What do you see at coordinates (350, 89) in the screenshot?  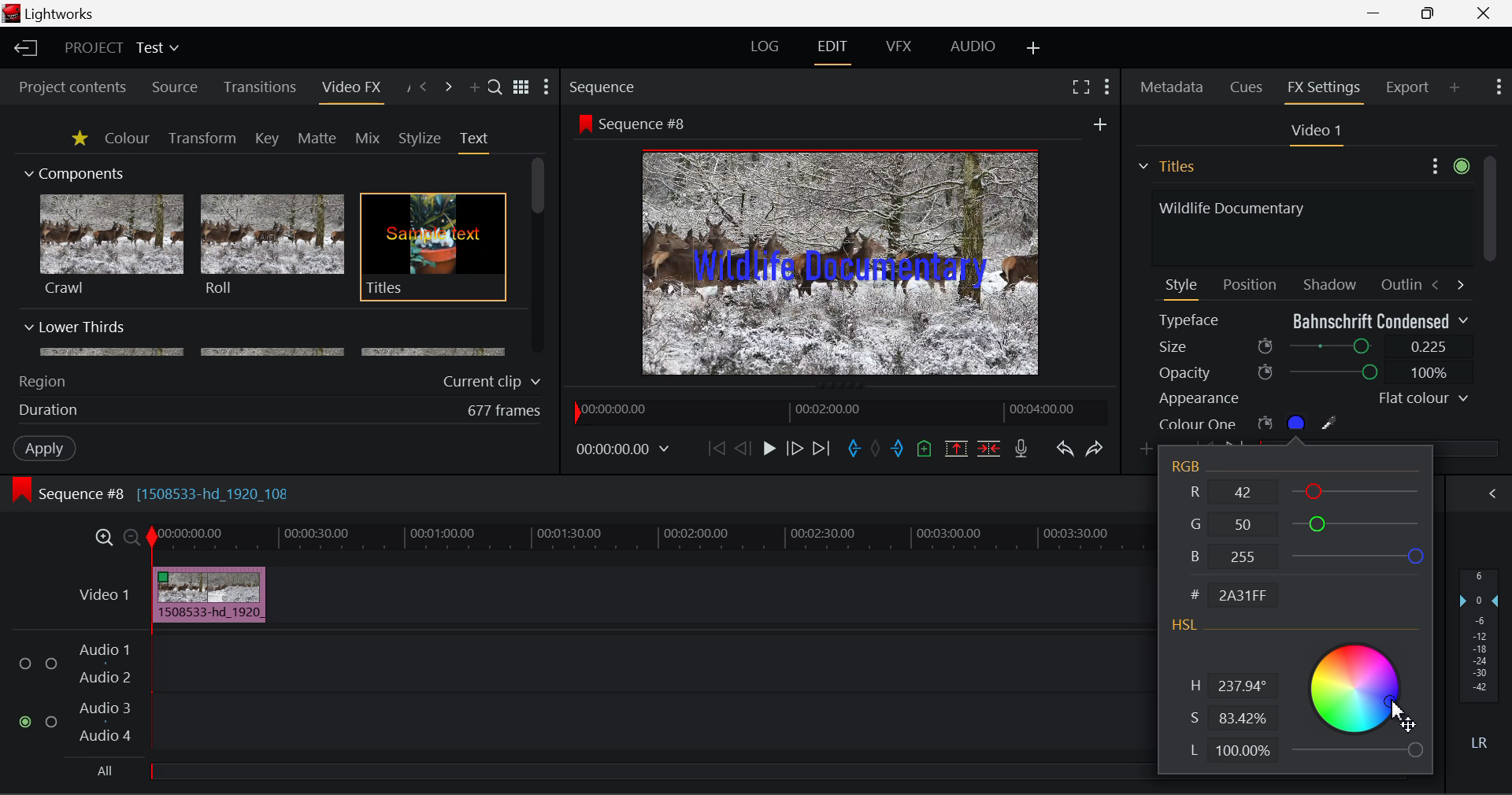 I see `Video FX Panel Open` at bounding box center [350, 89].